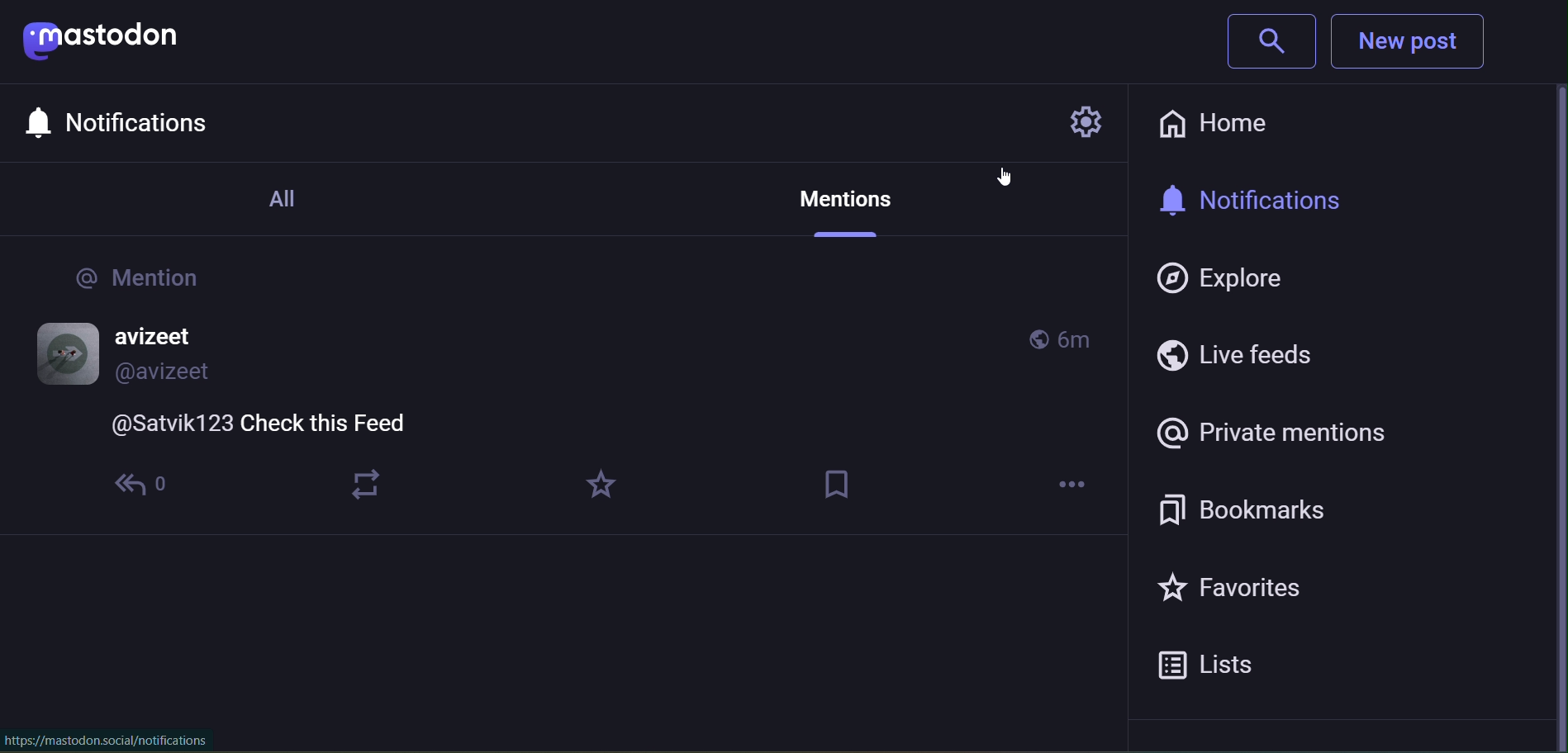 This screenshot has width=1568, height=753. I want to click on All Notifications, so click(284, 203).